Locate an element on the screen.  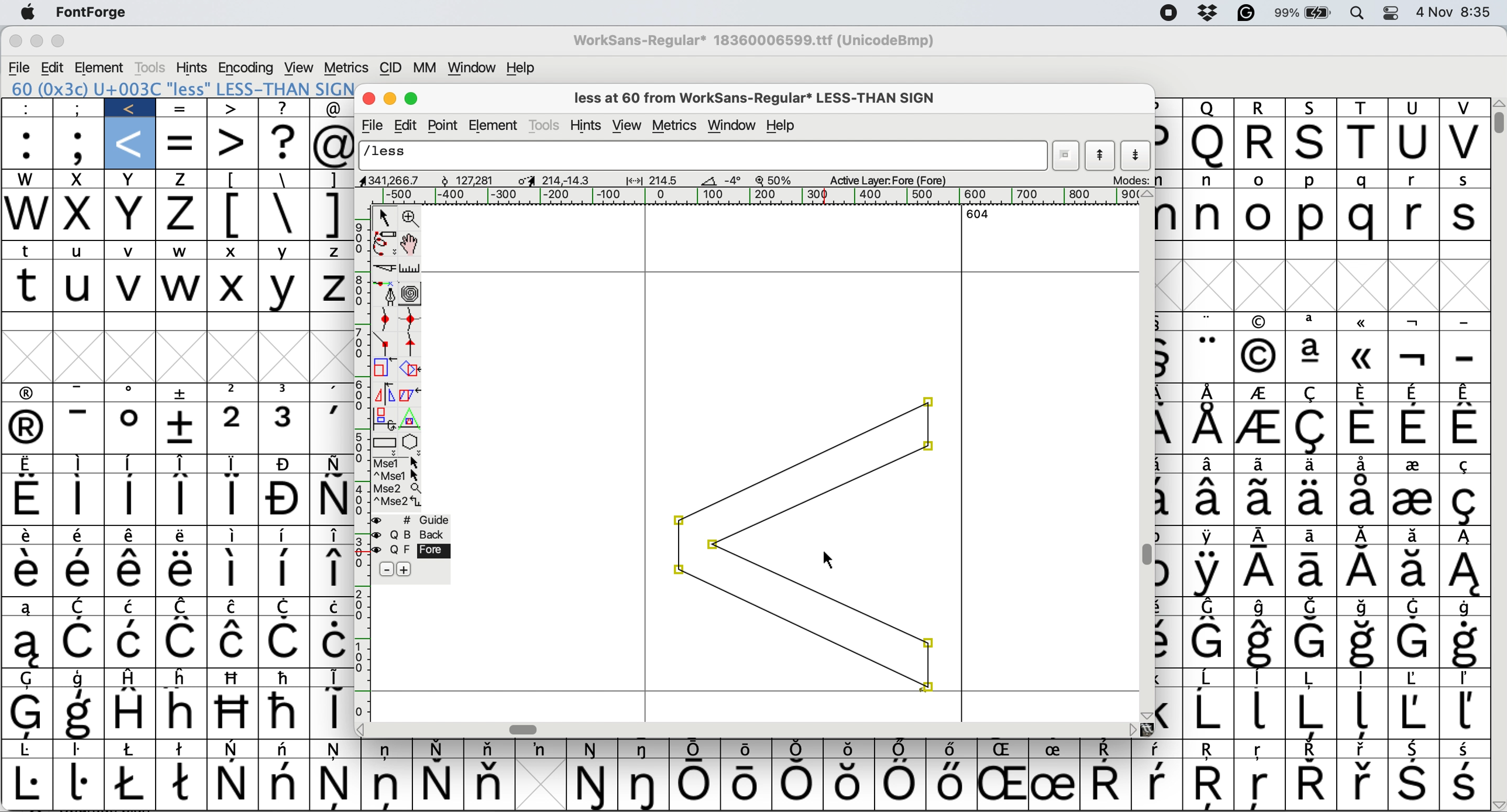
Symbol is located at coordinates (1207, 643).